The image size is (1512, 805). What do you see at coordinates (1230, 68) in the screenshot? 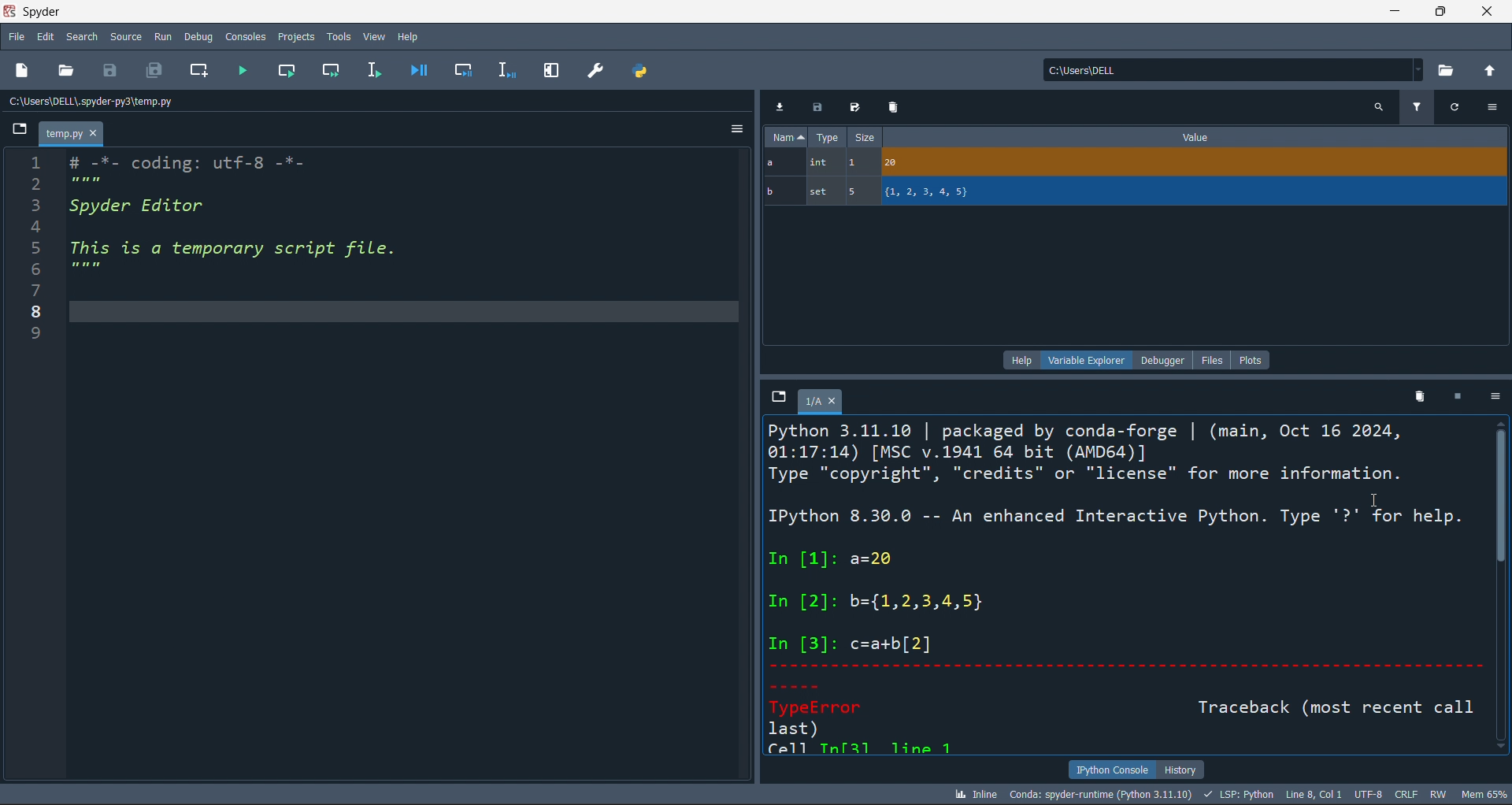
I see `c:\users\dell` at bounding box center [1230, 68].